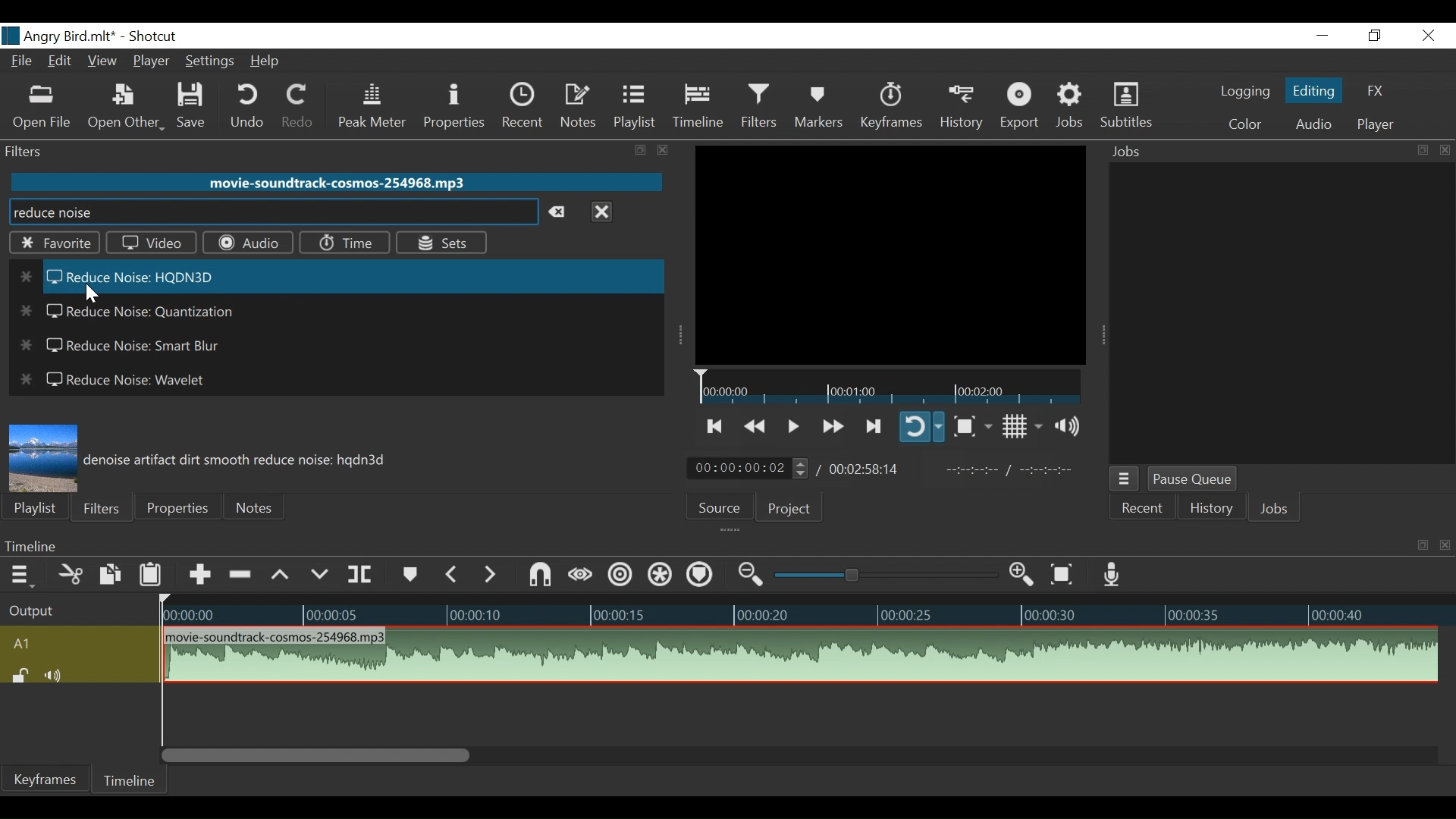 The image size is (1456, 819). What do you see at coordinates (961, 107) in the screenshot?
I see `History` at bounding box center [961, 107].